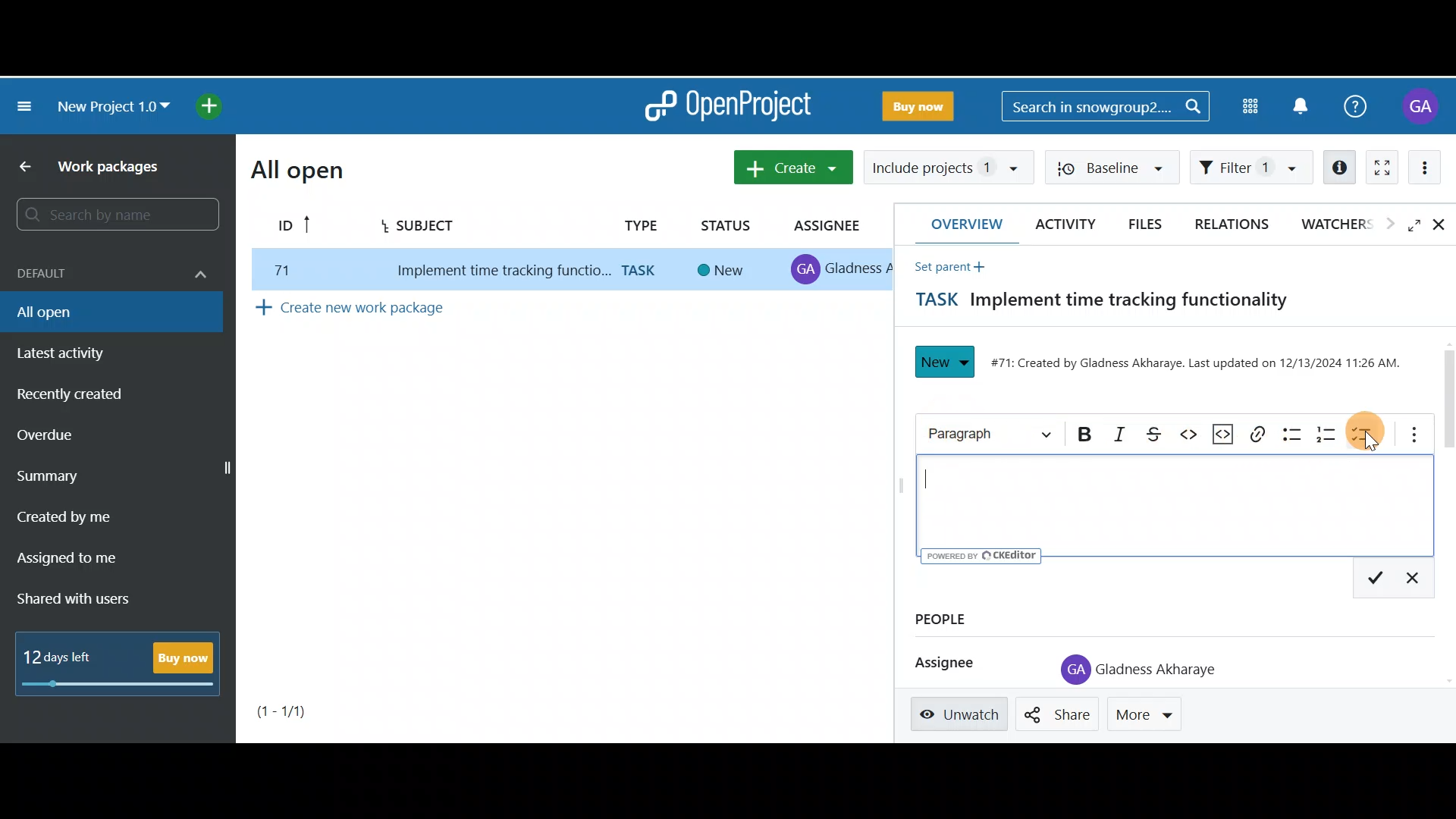  What do you see at coordinates (1233, 223) in the screenshot?
I see `Relations` at bounding box center [1233, 223].